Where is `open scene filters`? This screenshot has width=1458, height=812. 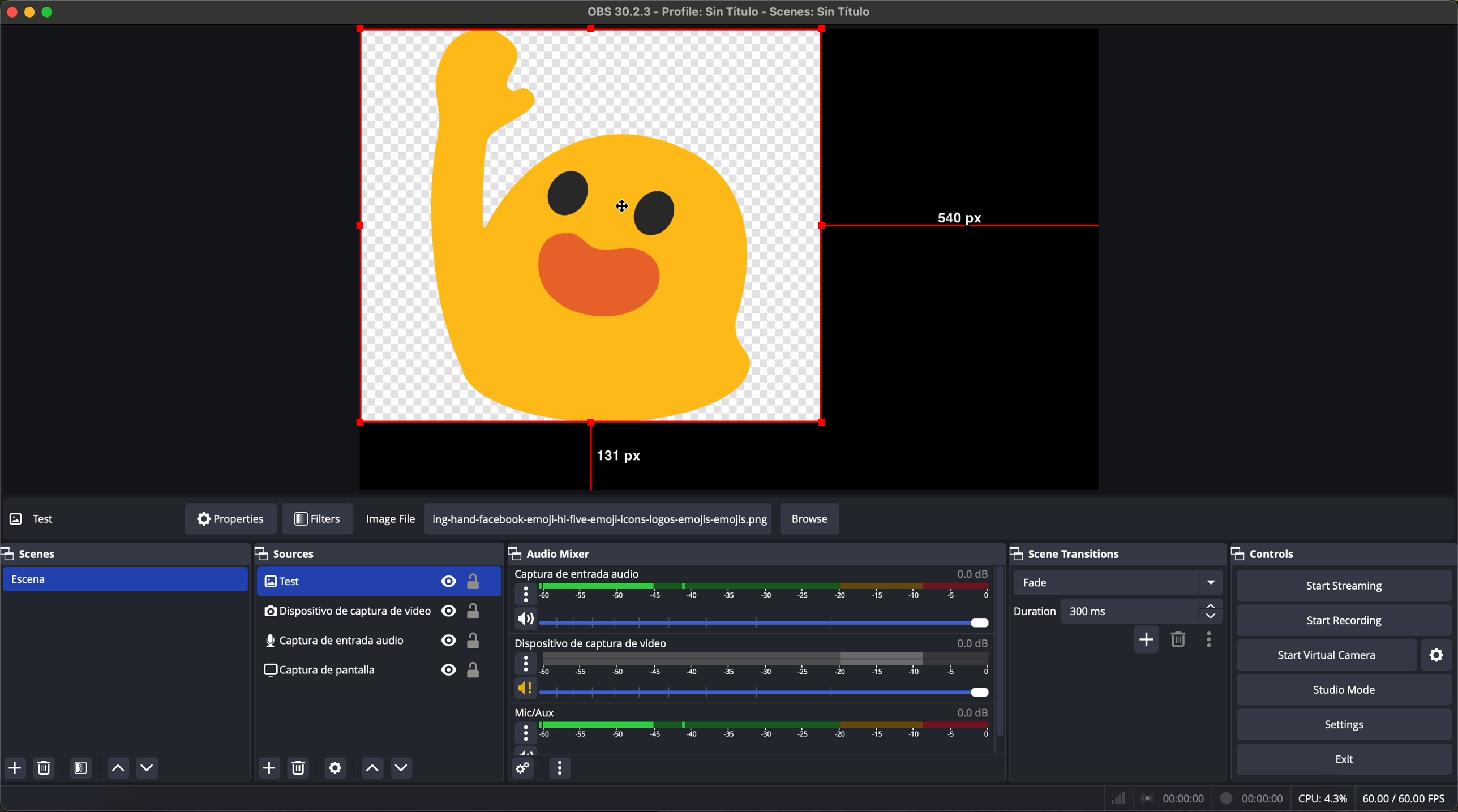
open scene filters is located at coordinates (83, 769).